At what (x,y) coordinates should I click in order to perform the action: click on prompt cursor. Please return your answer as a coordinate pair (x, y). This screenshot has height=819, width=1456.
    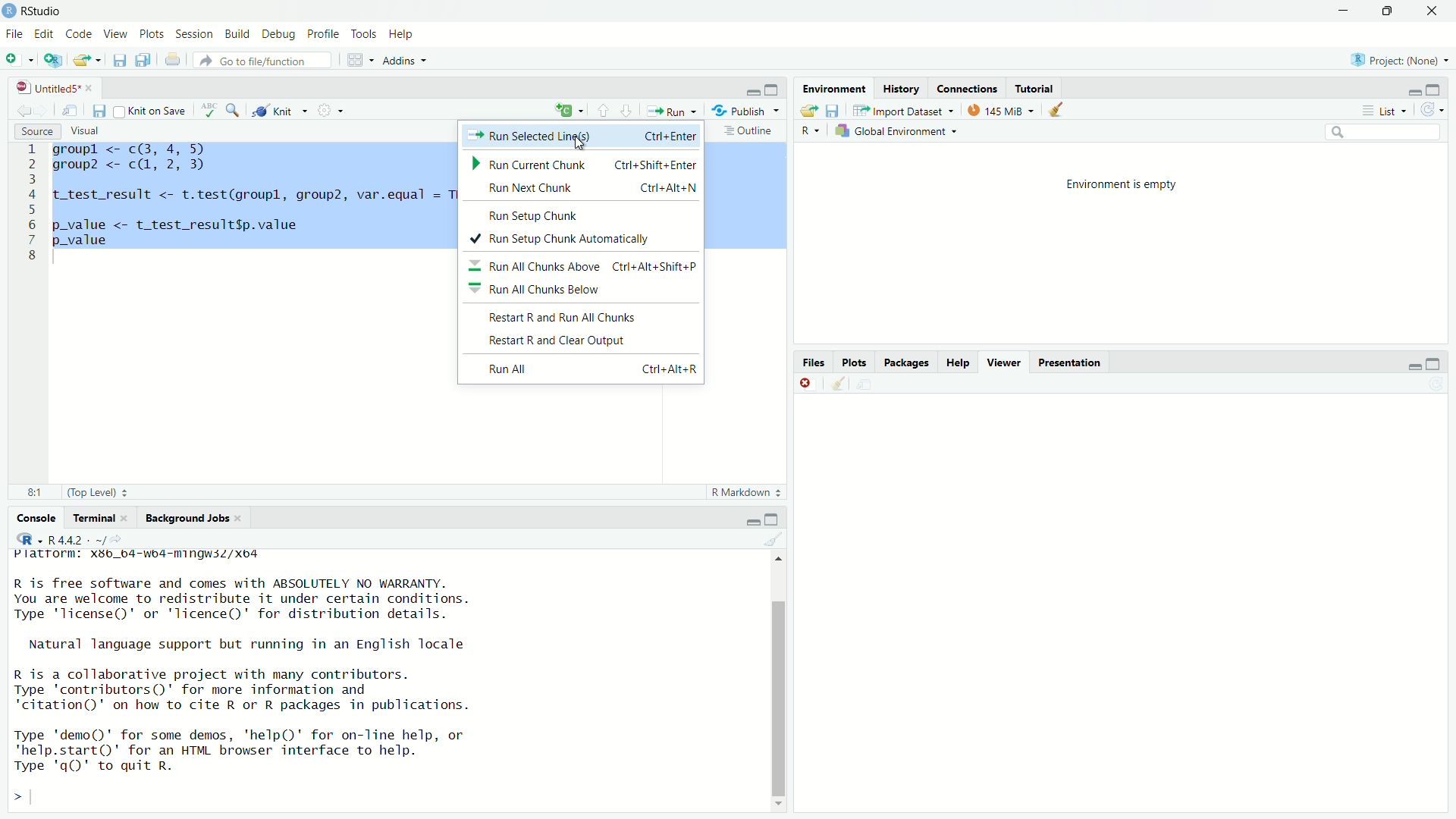
    Looking at the image, I should click on (17, 795).